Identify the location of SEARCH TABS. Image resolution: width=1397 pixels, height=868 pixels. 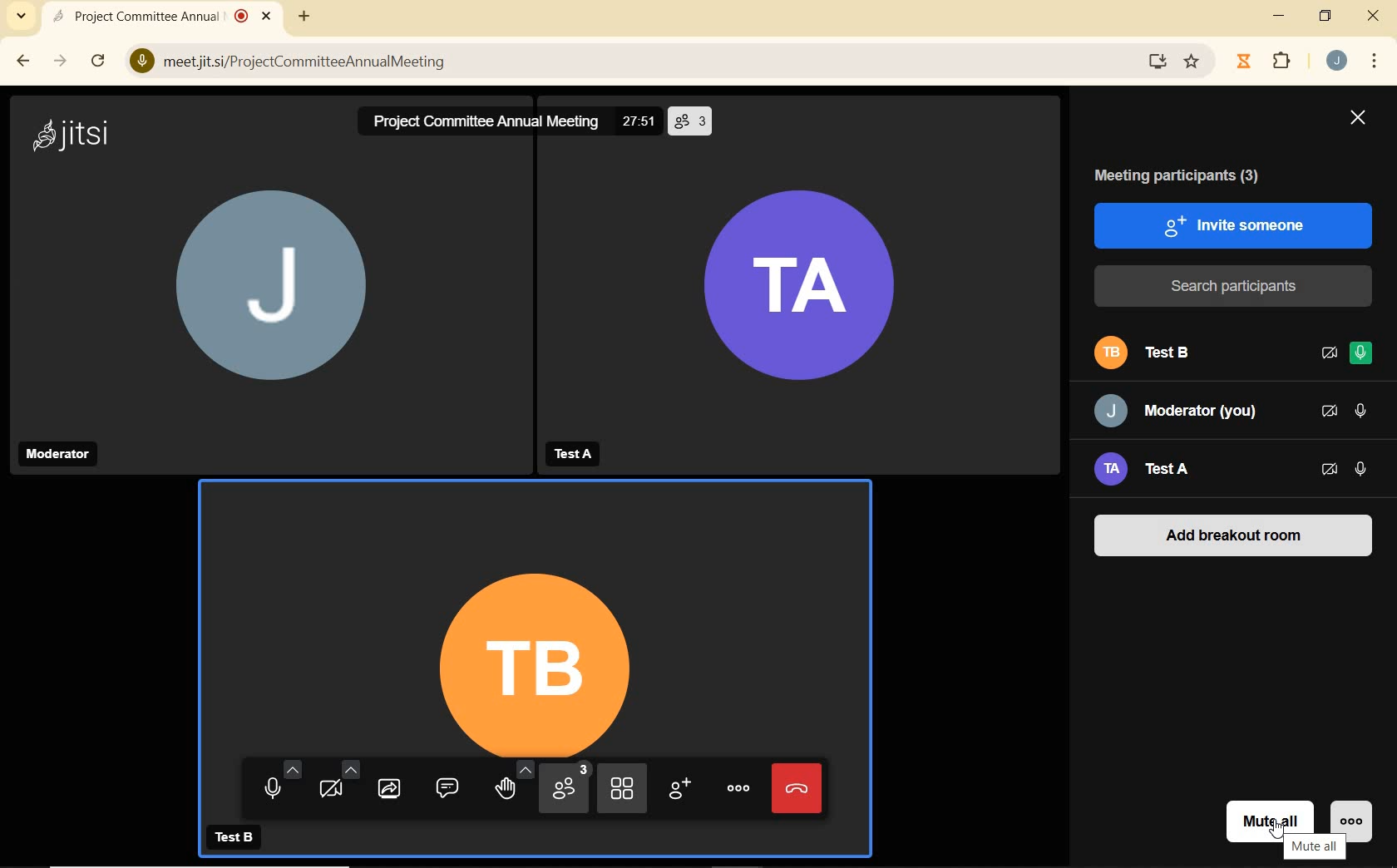
(18, 19).